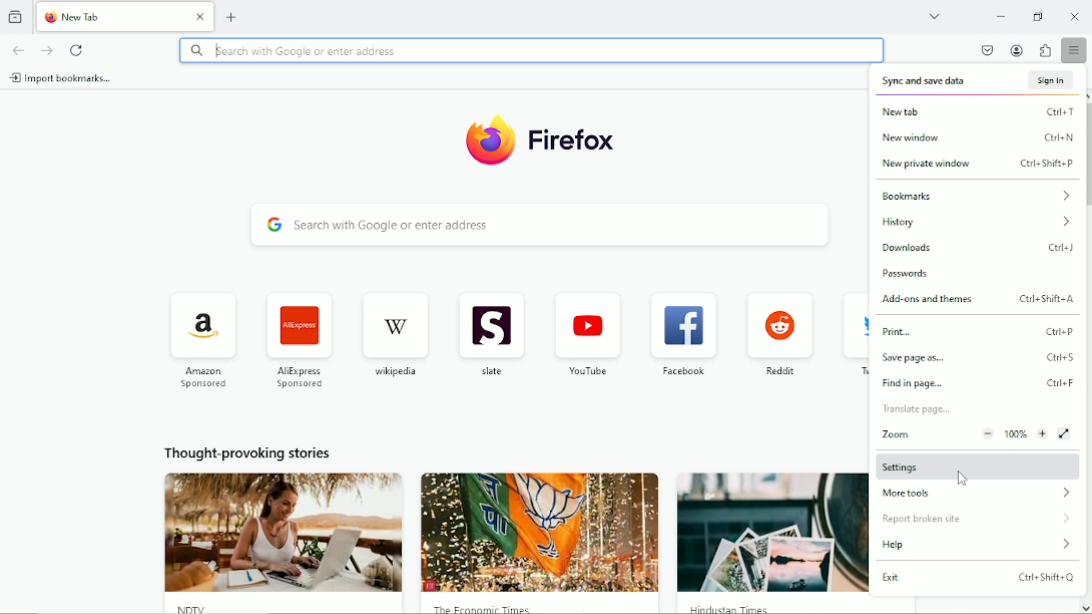 The width and height of the screenshot is (1092, 614). I want to click on Close, so click(201, 16).